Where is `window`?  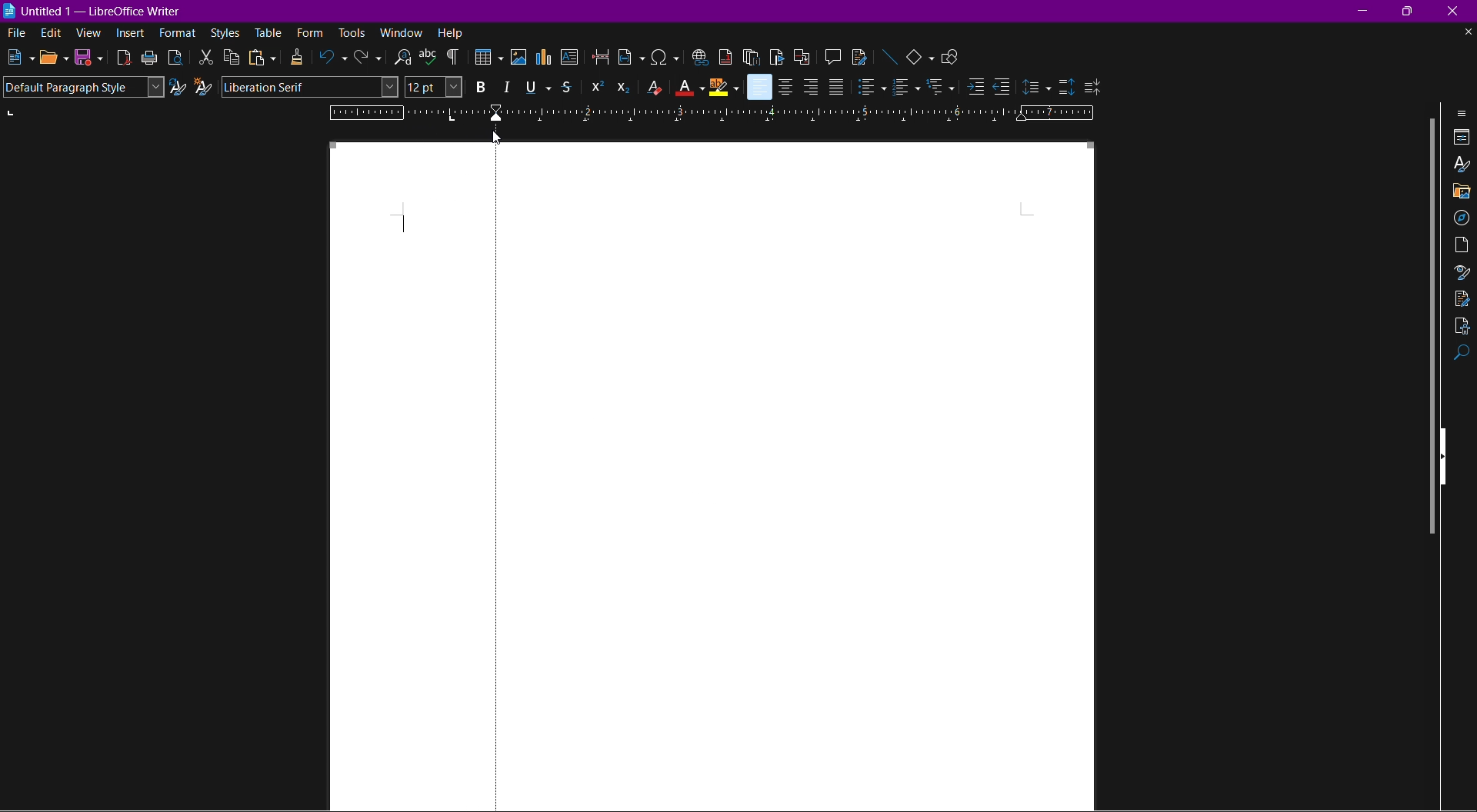
window is located at coordinates (403, 32).